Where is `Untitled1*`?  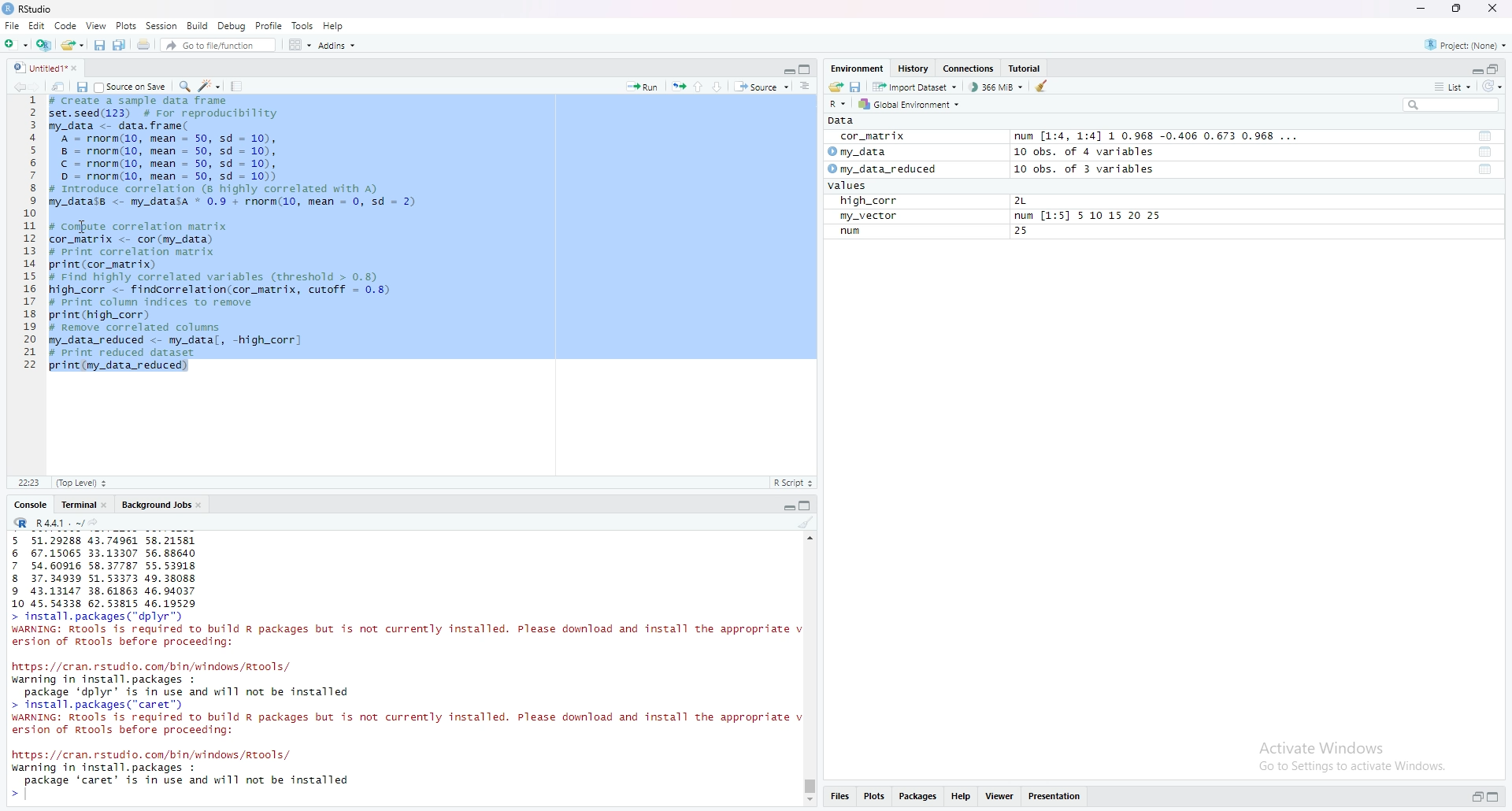
Untitled1* is located at coordinates (39, 68).